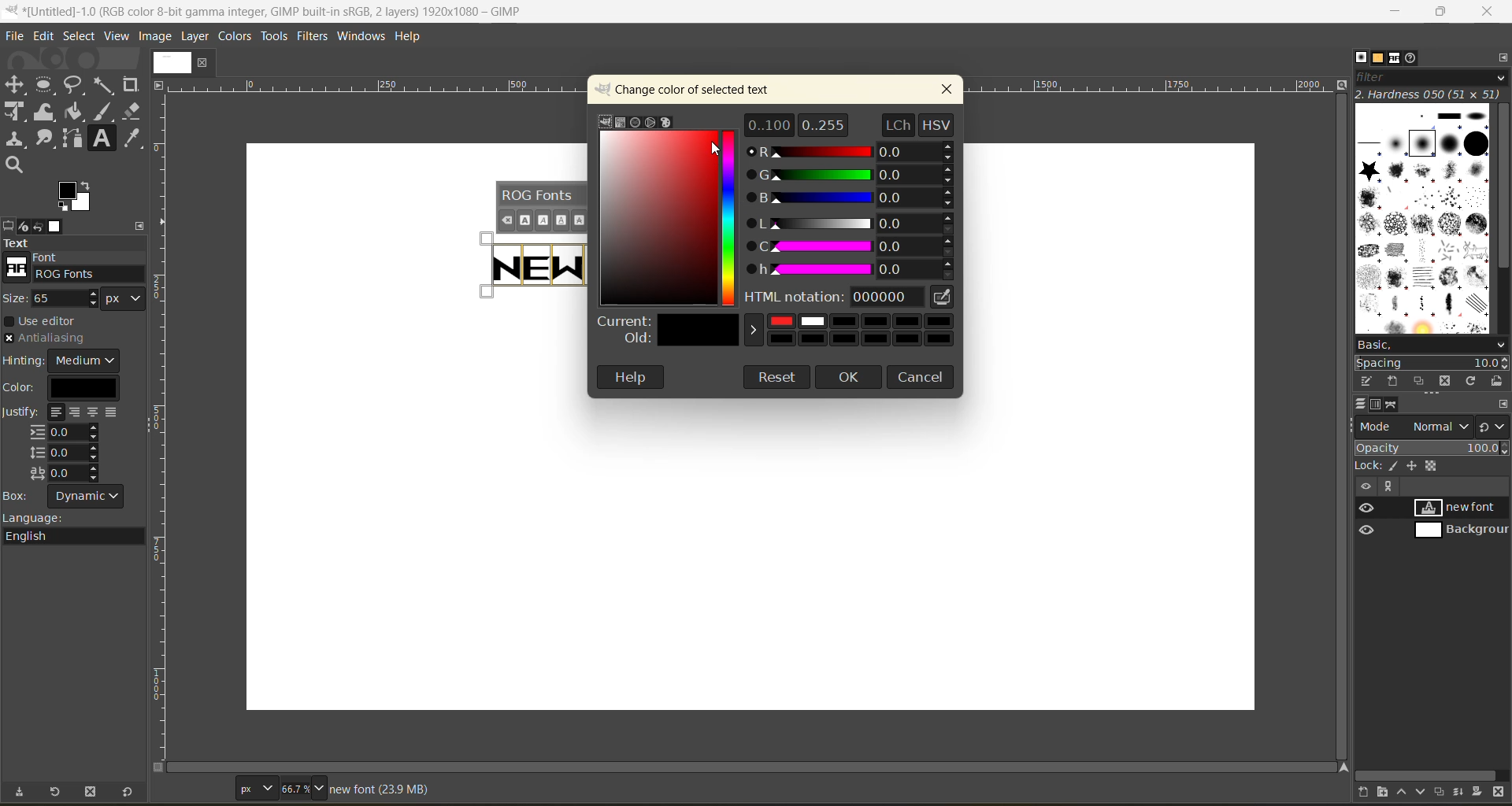  Describe the element at coordinates (1406, 790) in the screenshot. I see `raise this layer` at that location.